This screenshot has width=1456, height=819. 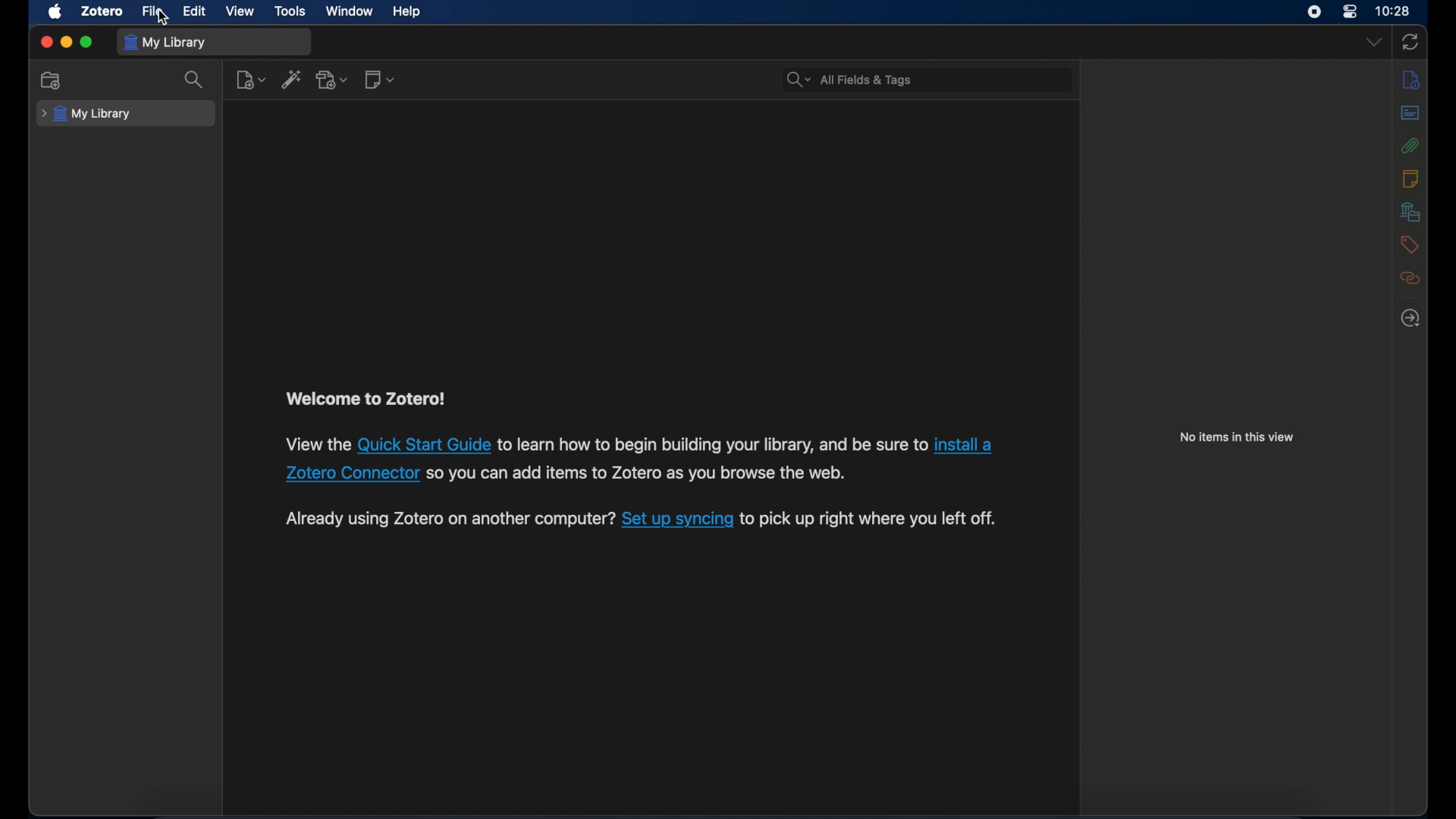 I want to click on window, so click(x=350, y=11).